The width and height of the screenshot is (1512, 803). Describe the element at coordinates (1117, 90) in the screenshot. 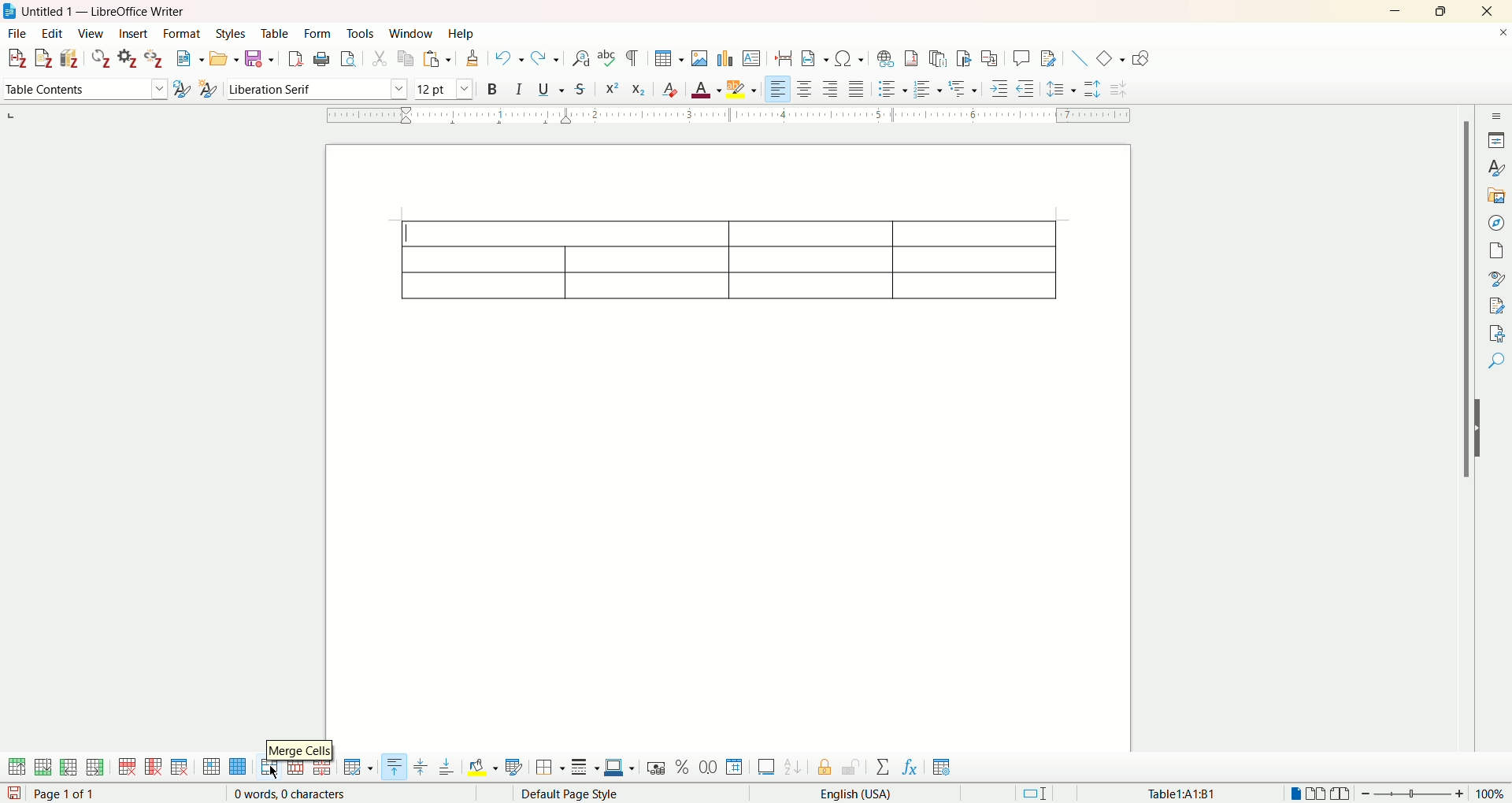

I see `decrease paragraph spacing` at that location.